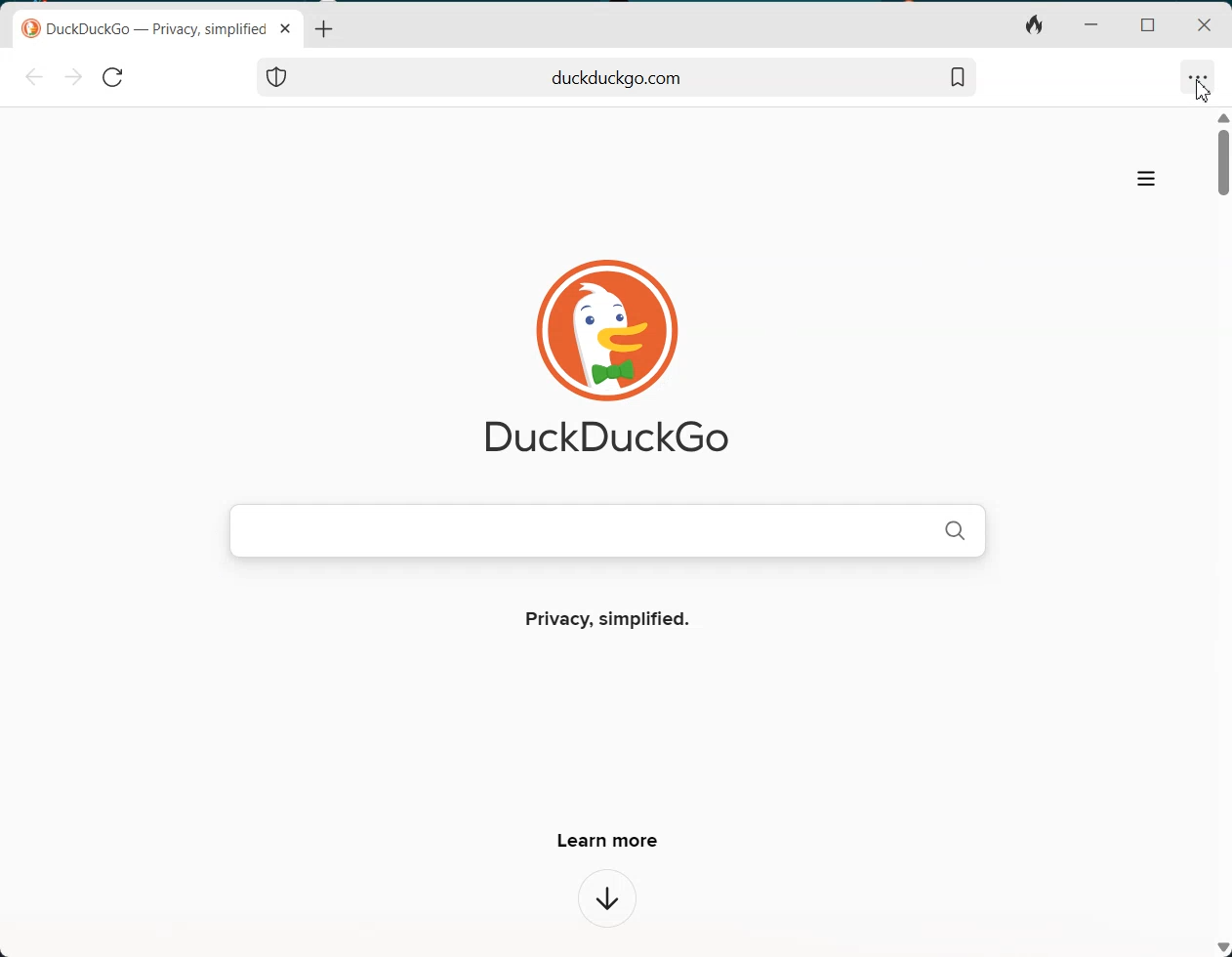 The width and height of the screenshot is (1232, 957). Describe the element at coordinates (322, 28) in the screenshot. I see `Open new tab` at that location.